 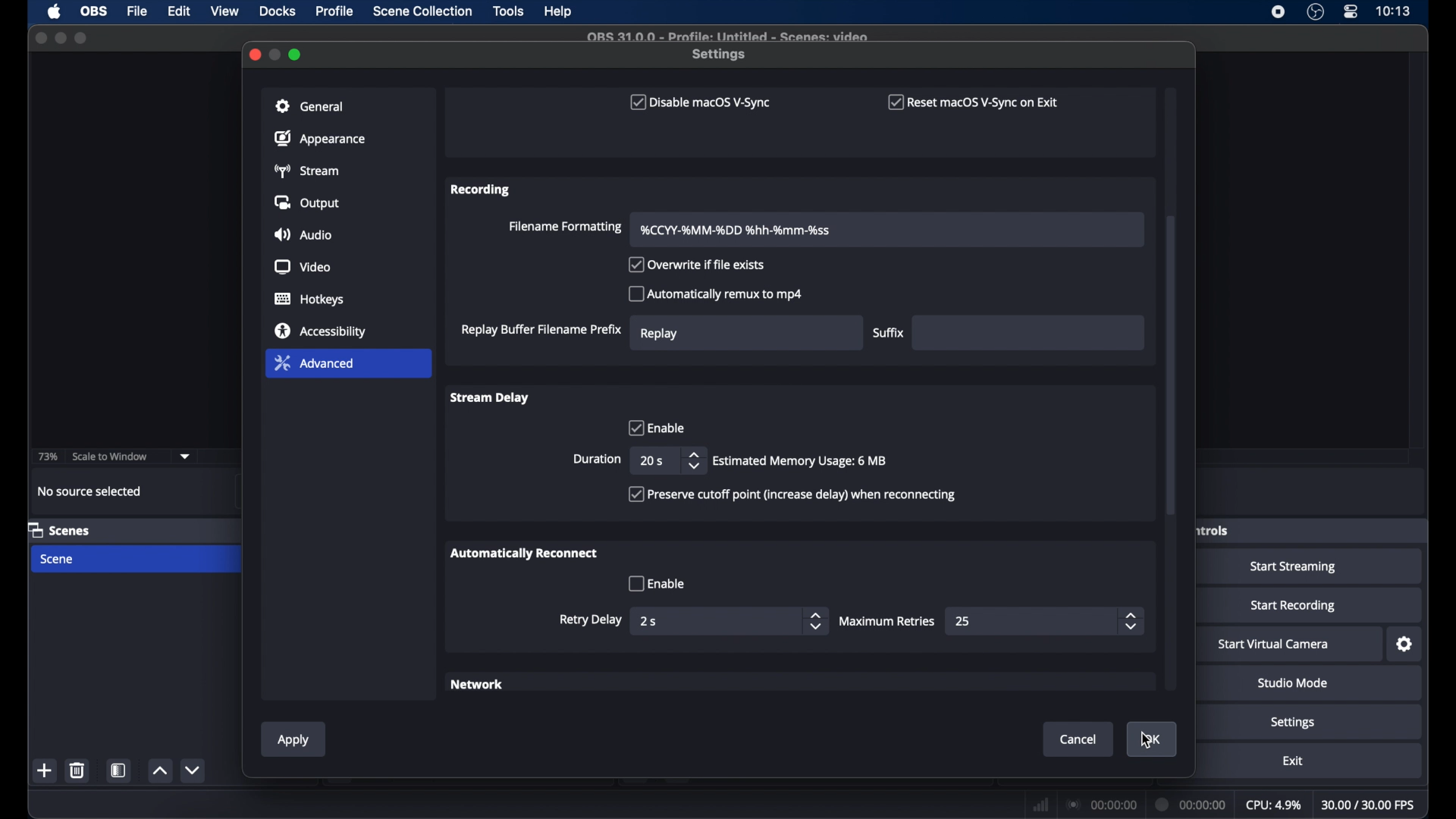 What do you see at coordinates (1080, 739) in the screenshot?
I see `cancel` at bounding box center [1080, 739].